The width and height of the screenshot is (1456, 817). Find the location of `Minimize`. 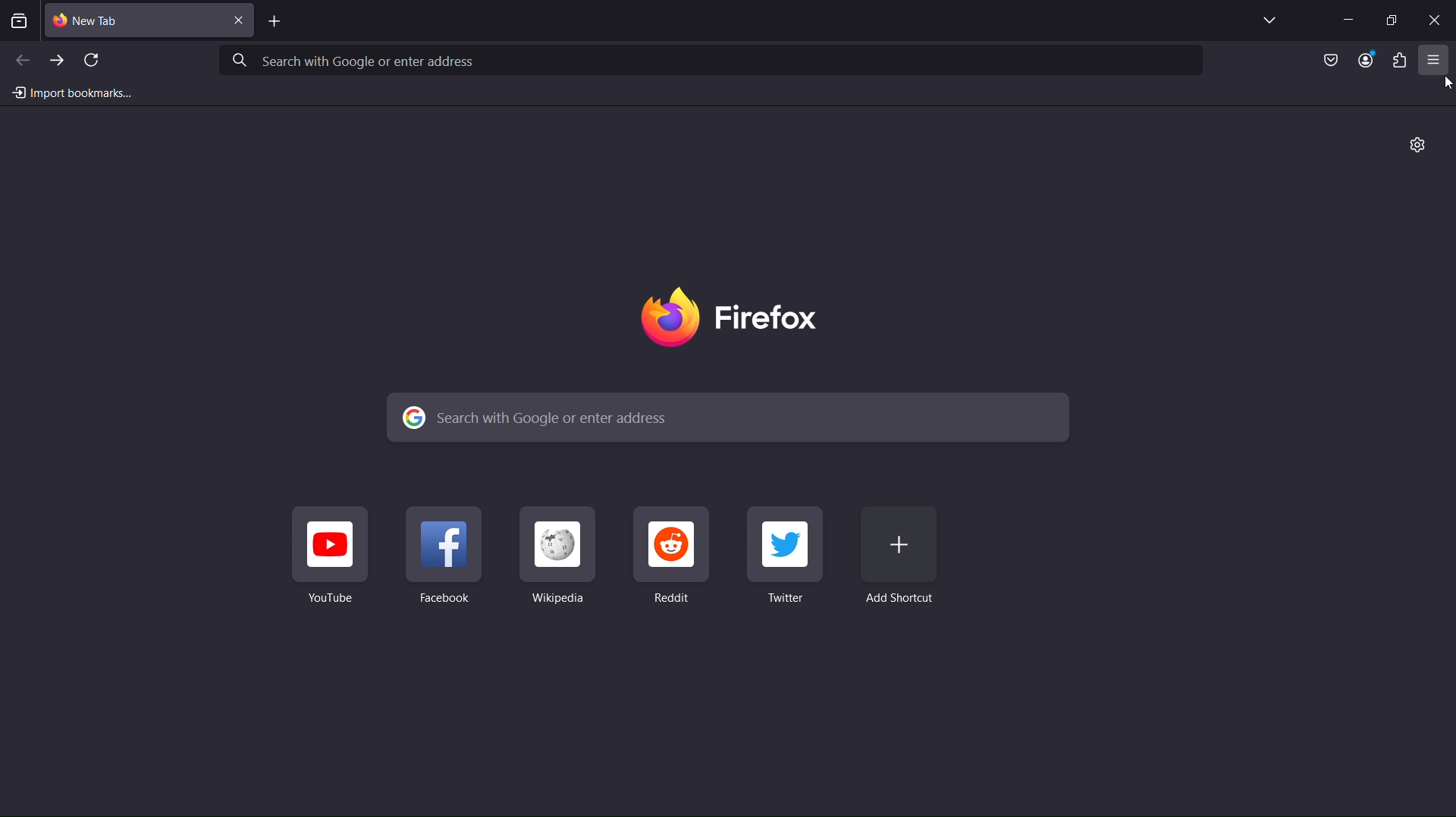

Minimize is located at coordinates (1345, 20).